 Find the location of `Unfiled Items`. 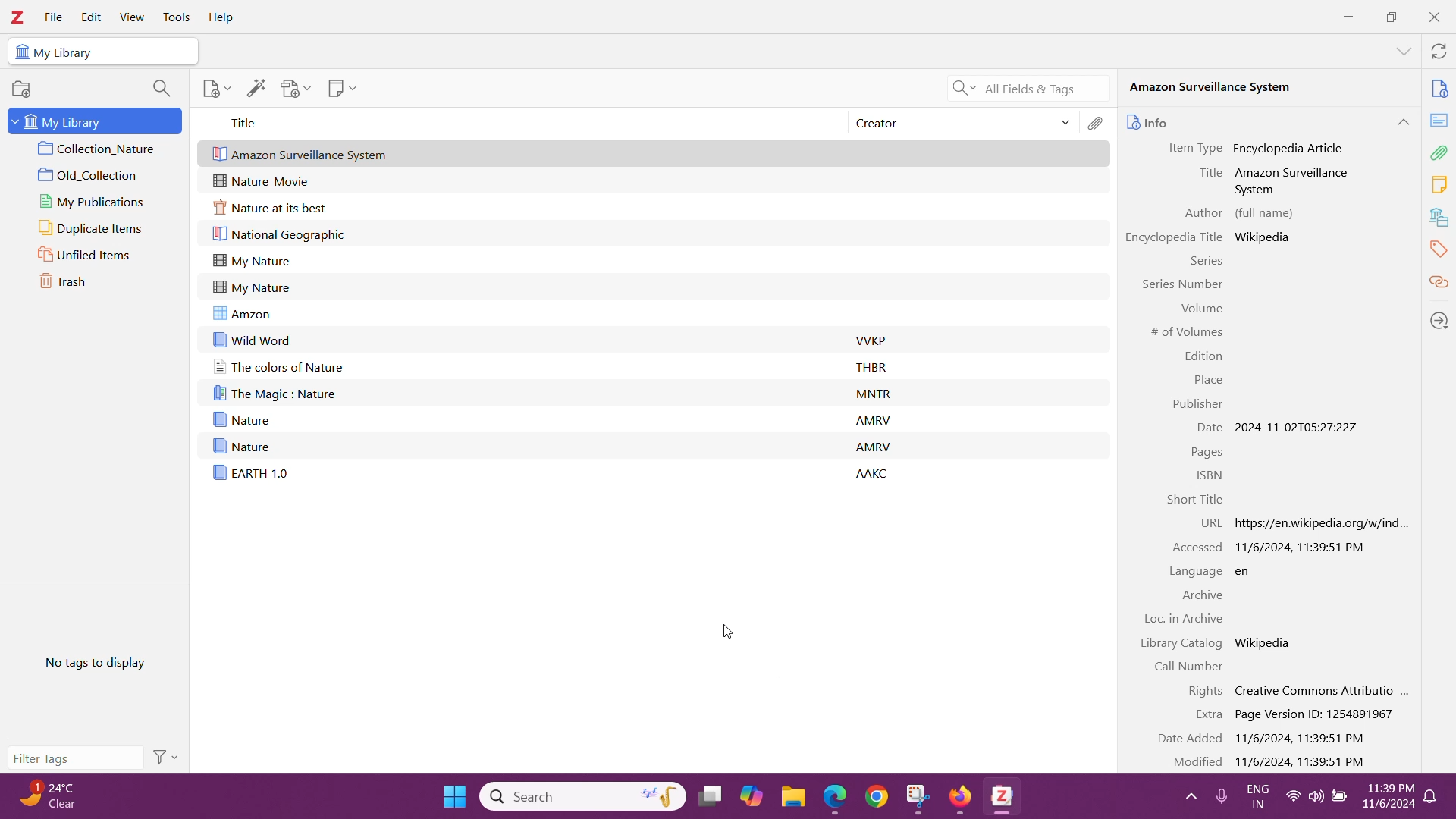

Unfiled Items is located at coordinates (105, 252).